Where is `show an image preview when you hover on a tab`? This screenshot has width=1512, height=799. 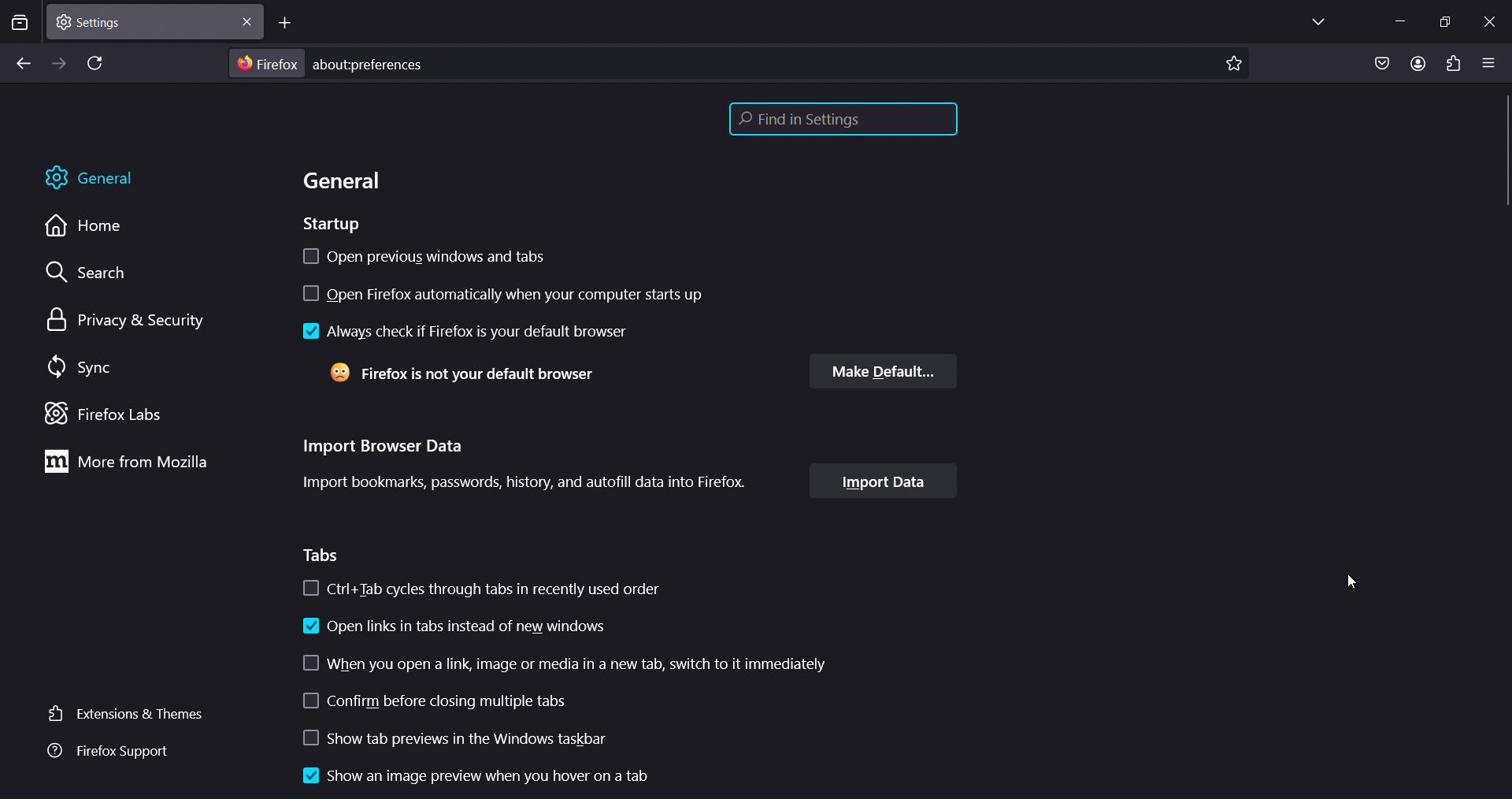
show an image preview when you hover on a tab is located at coordinates (473, 777).